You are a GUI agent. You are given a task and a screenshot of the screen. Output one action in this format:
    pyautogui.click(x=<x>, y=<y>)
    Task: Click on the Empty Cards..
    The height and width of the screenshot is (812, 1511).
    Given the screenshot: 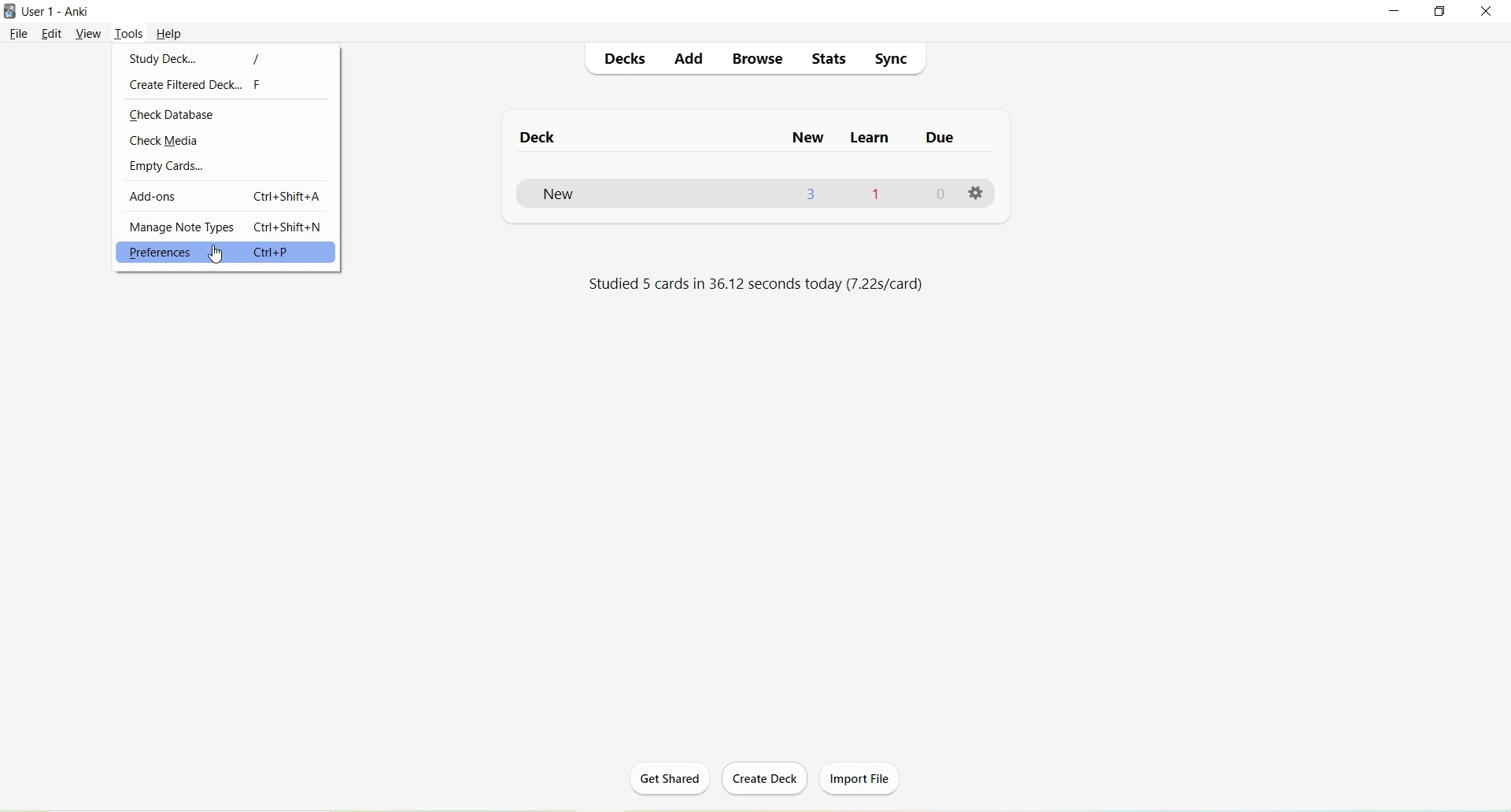 What is the action you would take?
    pyautogui.click(x=168, y=168)
    